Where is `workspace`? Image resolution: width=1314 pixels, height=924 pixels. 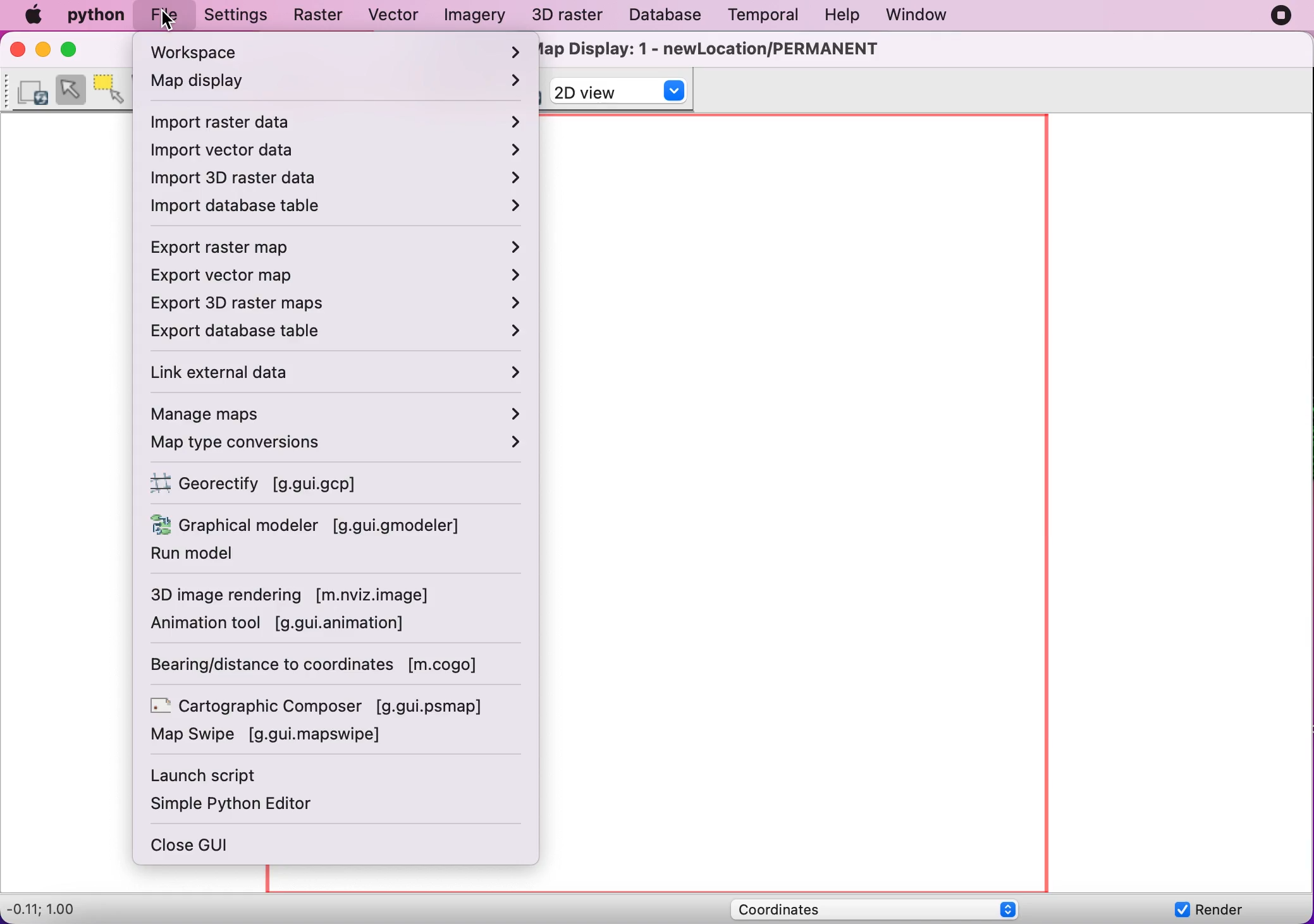
workspace is located at coordinates (335, 52).